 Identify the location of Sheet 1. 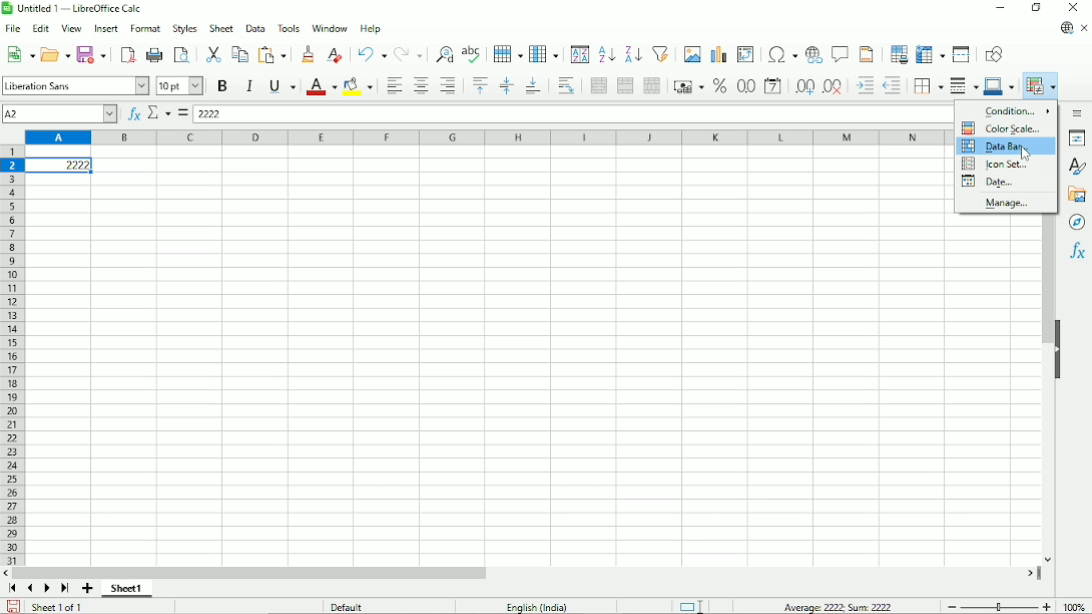
(127, 589).